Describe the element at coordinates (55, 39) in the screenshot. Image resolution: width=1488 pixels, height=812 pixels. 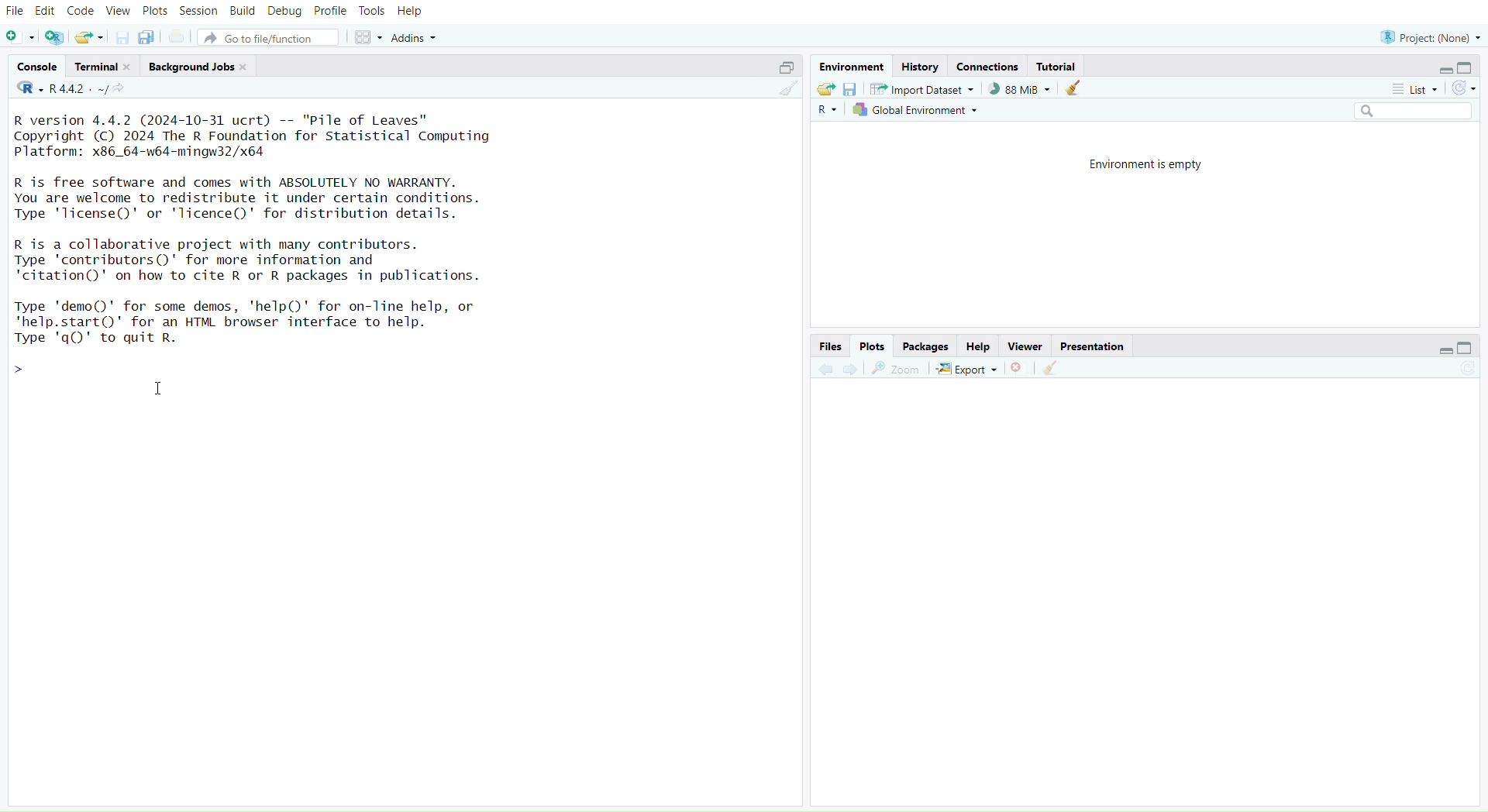
I see `create a project` at that location.